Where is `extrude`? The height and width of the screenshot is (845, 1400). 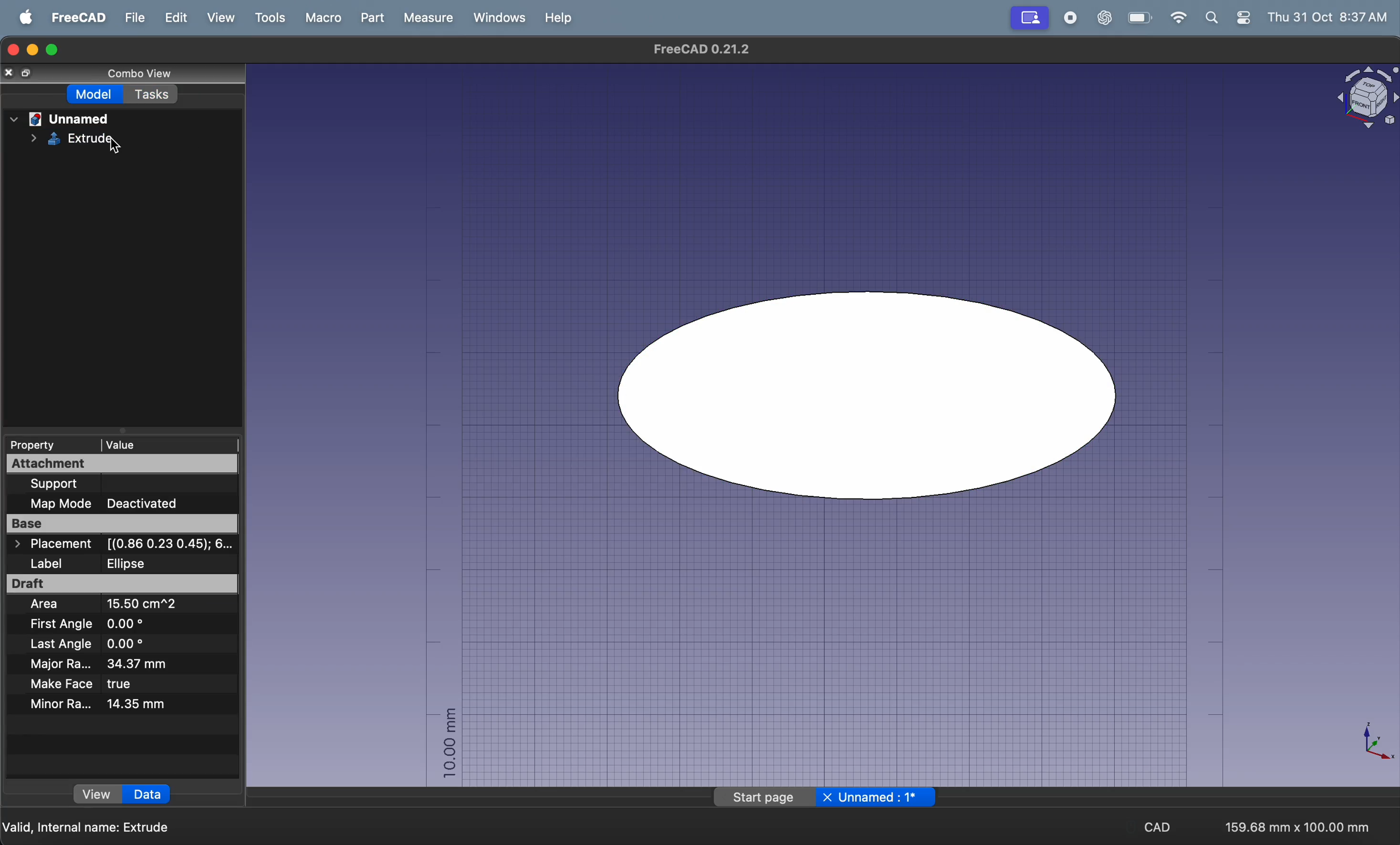 extrude is located at coordinates (84, 143).